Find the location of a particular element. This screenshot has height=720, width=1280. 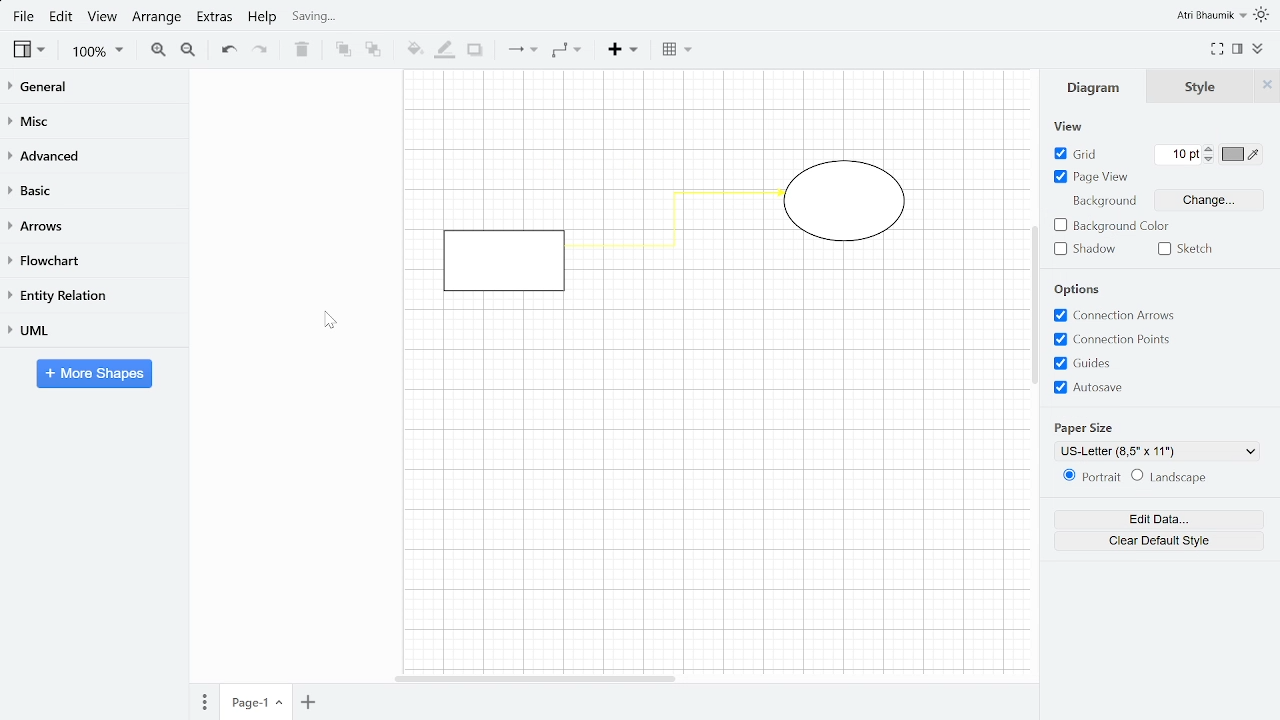

Arrows is located at coordinates (93, 225).